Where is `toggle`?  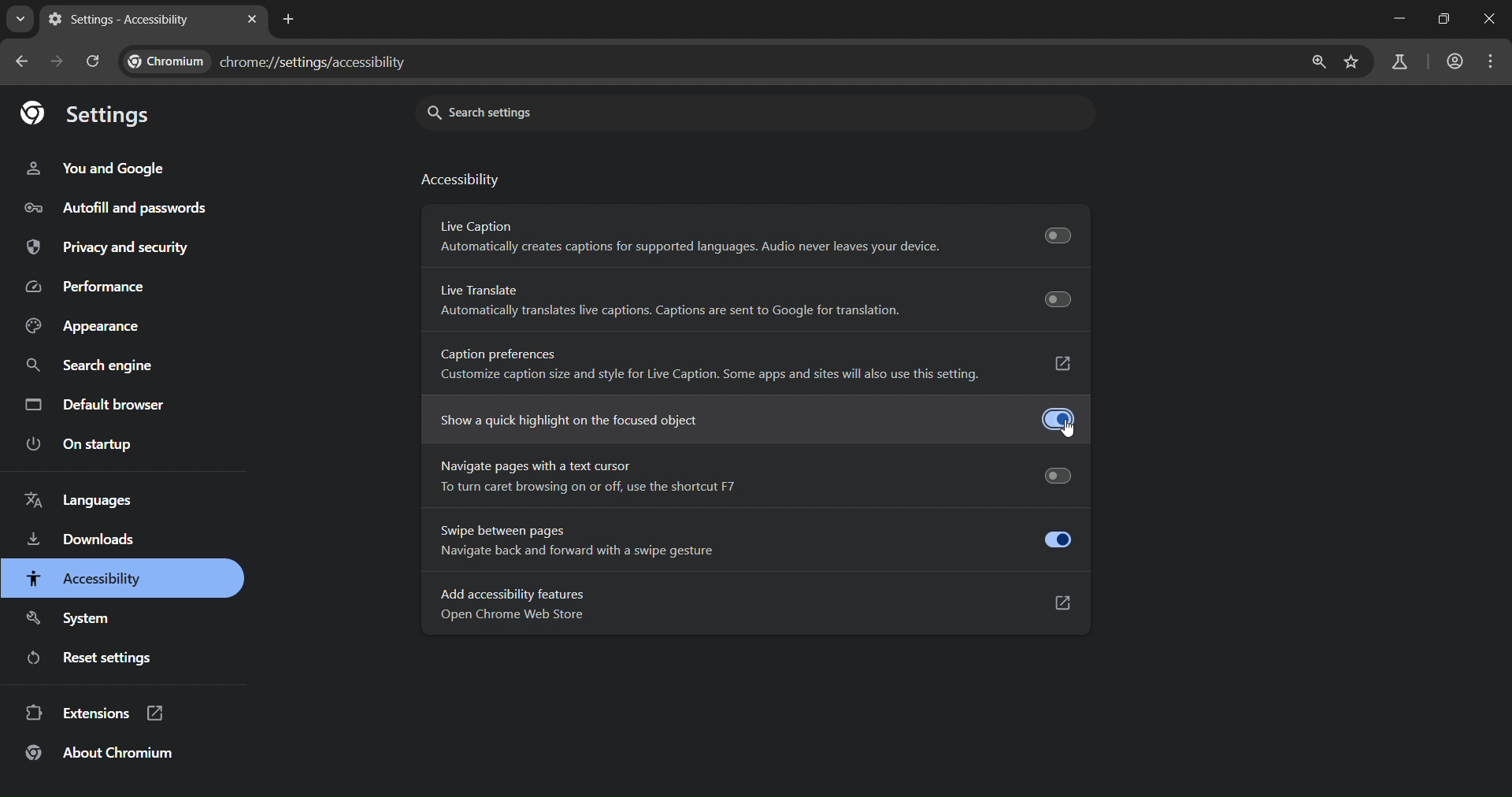 toggle is located at coordinates (1058, 298).